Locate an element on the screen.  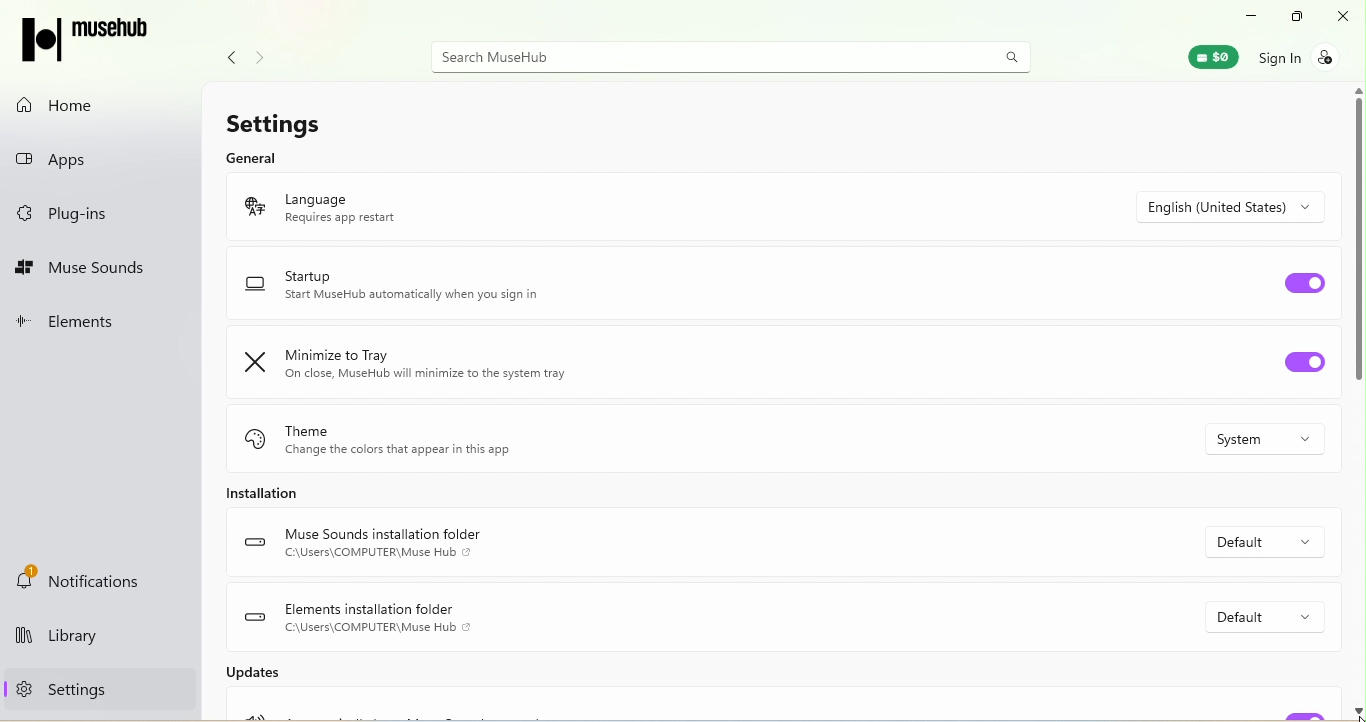
Start MuseHub automatically when you sign in is located at coordinates (411, 296).